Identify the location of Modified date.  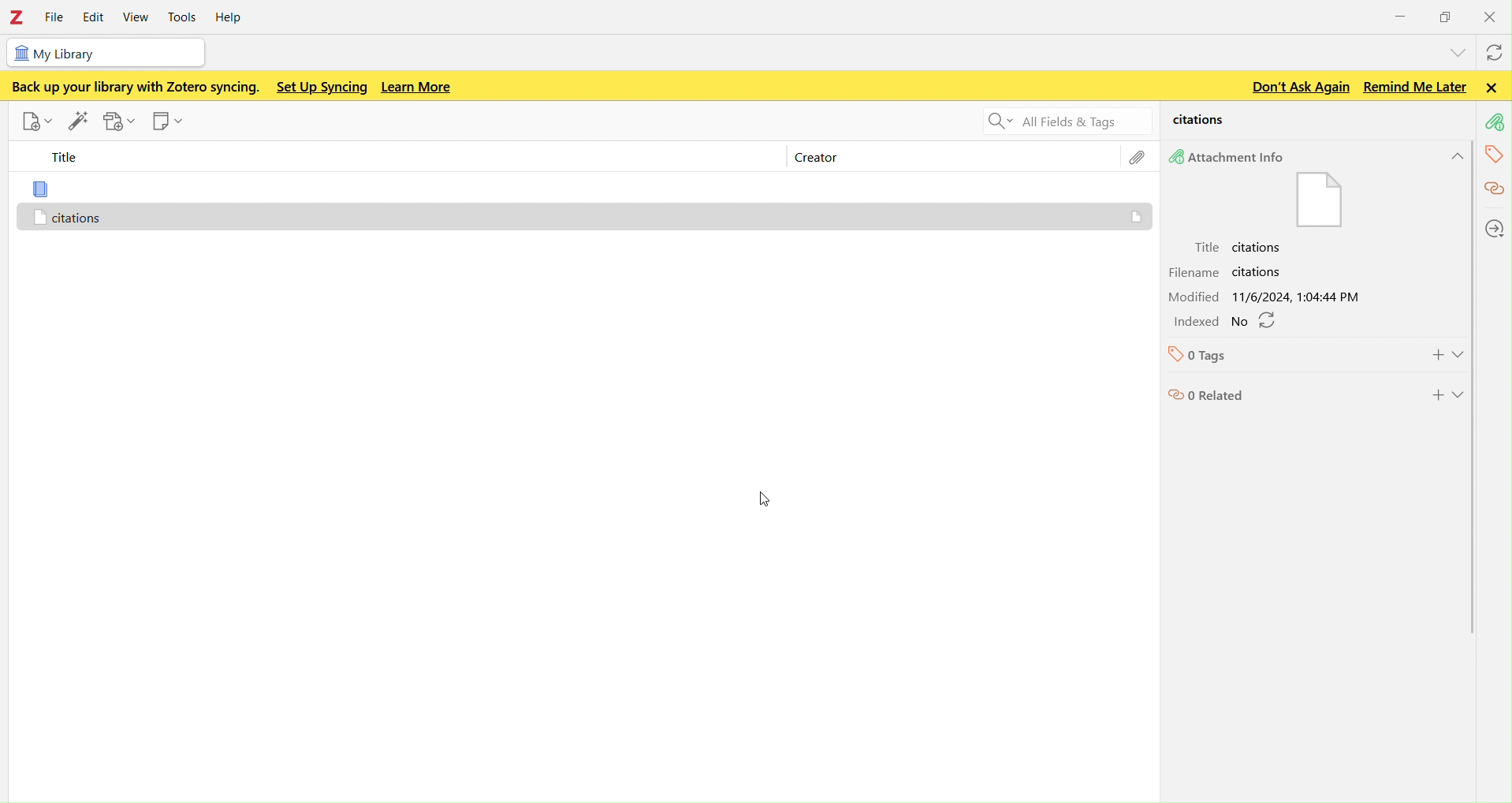
(1301, 294).